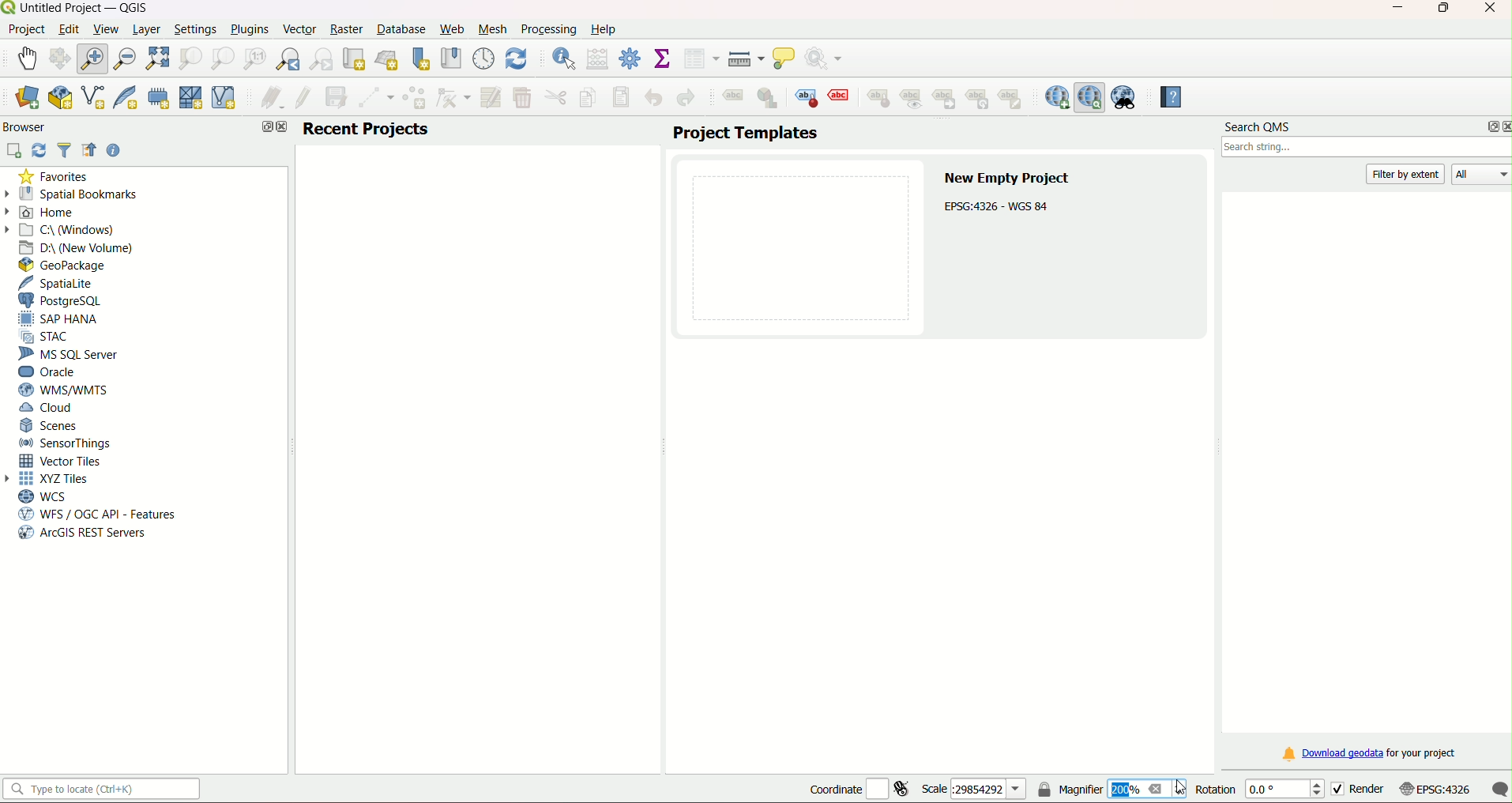  Describe the element at coordinates (15, 150) in the screenshot. I see `add selected layer` at that location.